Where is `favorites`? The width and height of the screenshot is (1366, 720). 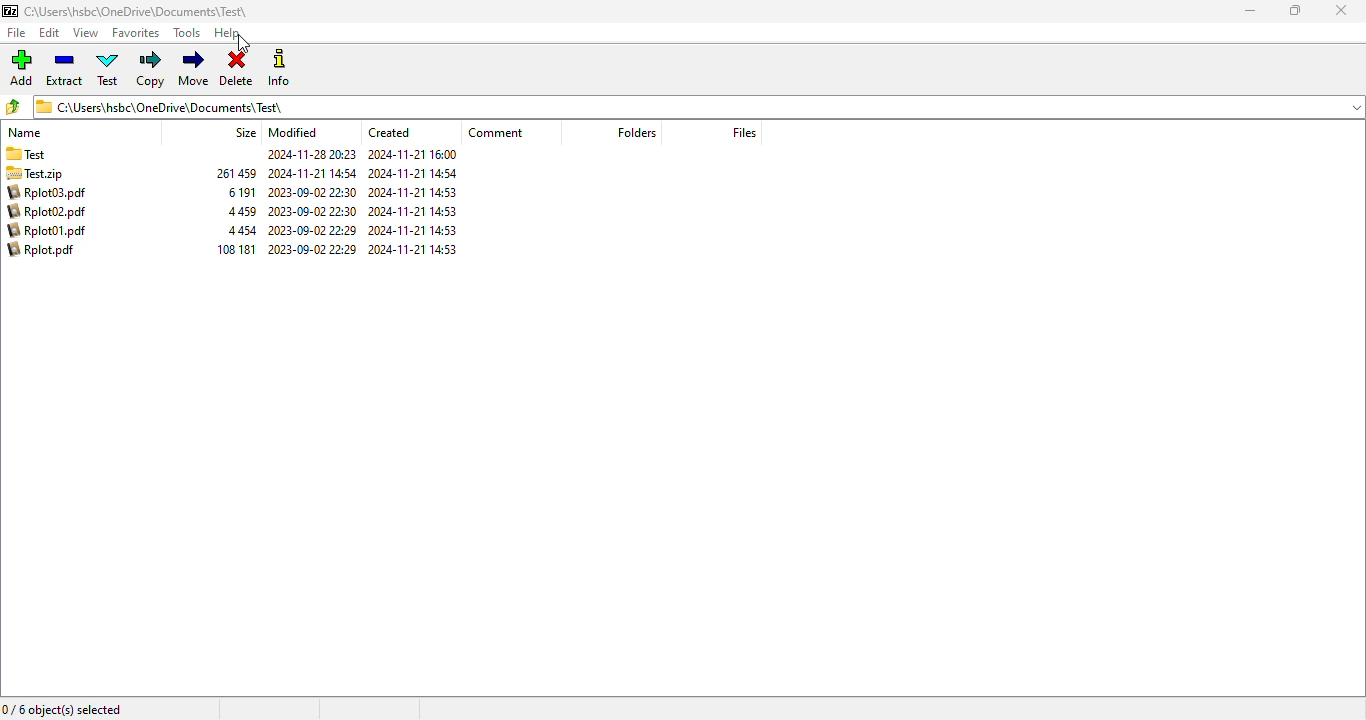
favorites is located at coordinates (135, 33).